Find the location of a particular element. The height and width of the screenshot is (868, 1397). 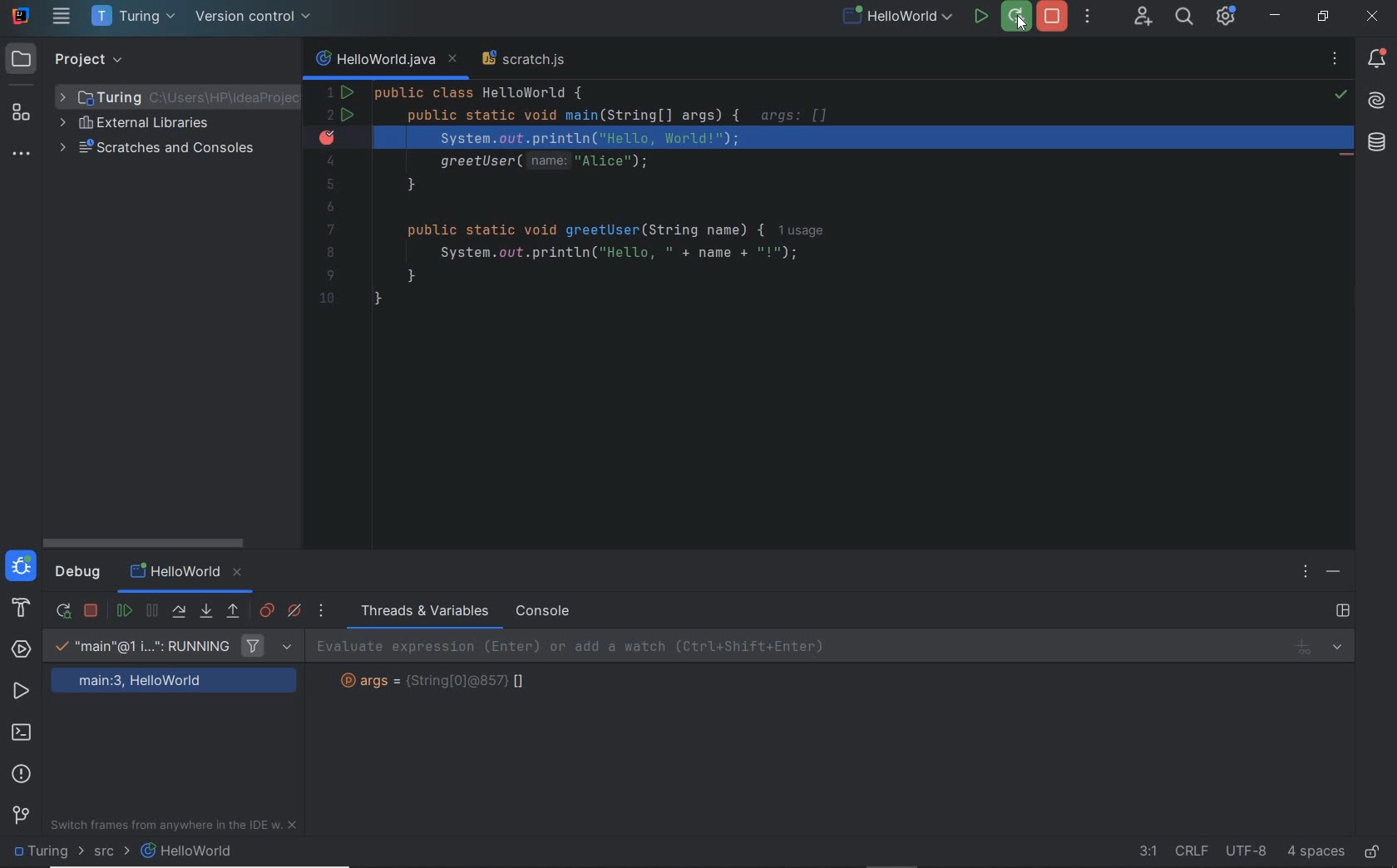

line separator is located at coordinates (1192, 852).